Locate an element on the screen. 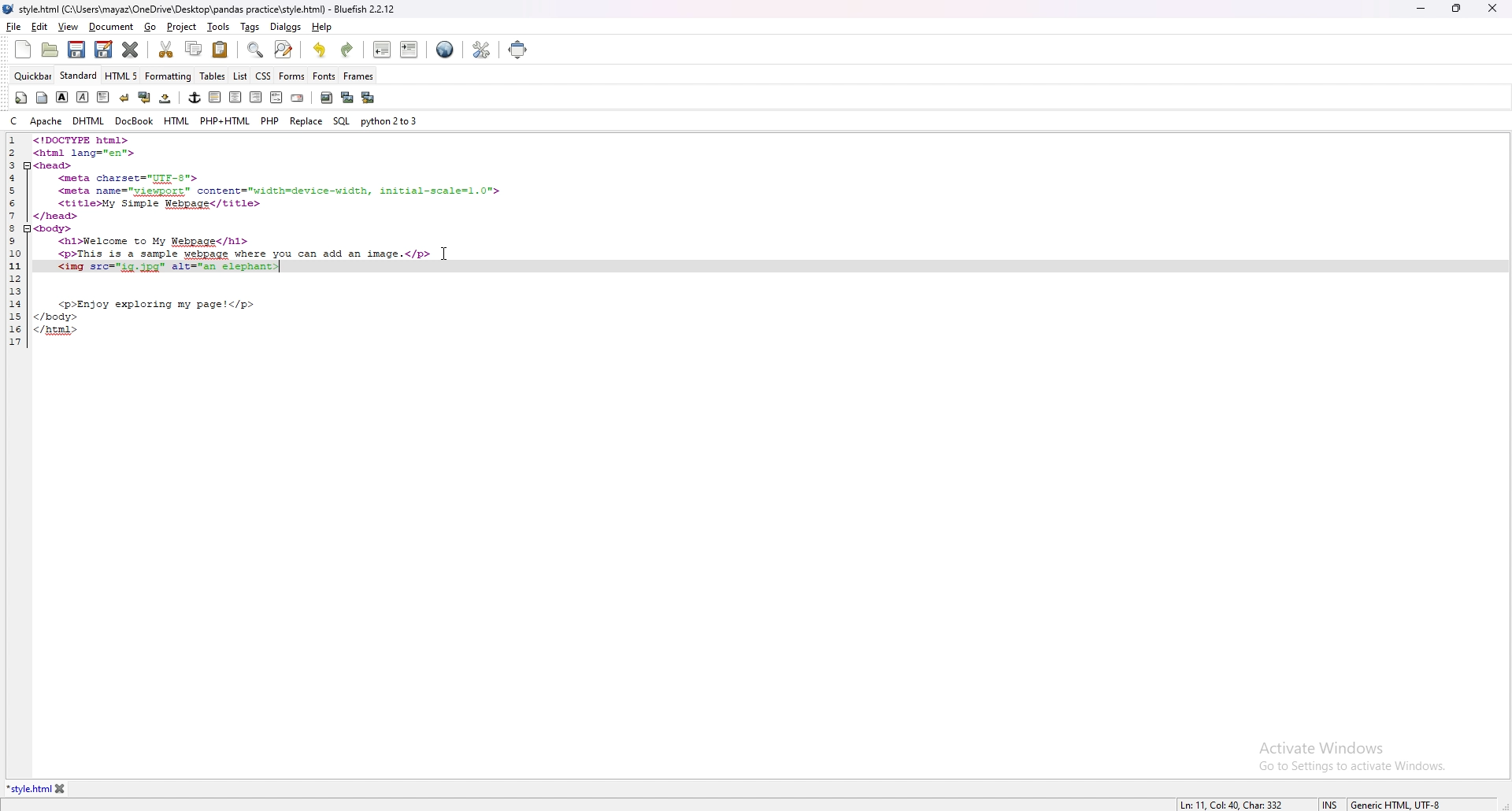 The height and width of the screenshot is (811, 1512). logo is located at coordinates (11, 9).